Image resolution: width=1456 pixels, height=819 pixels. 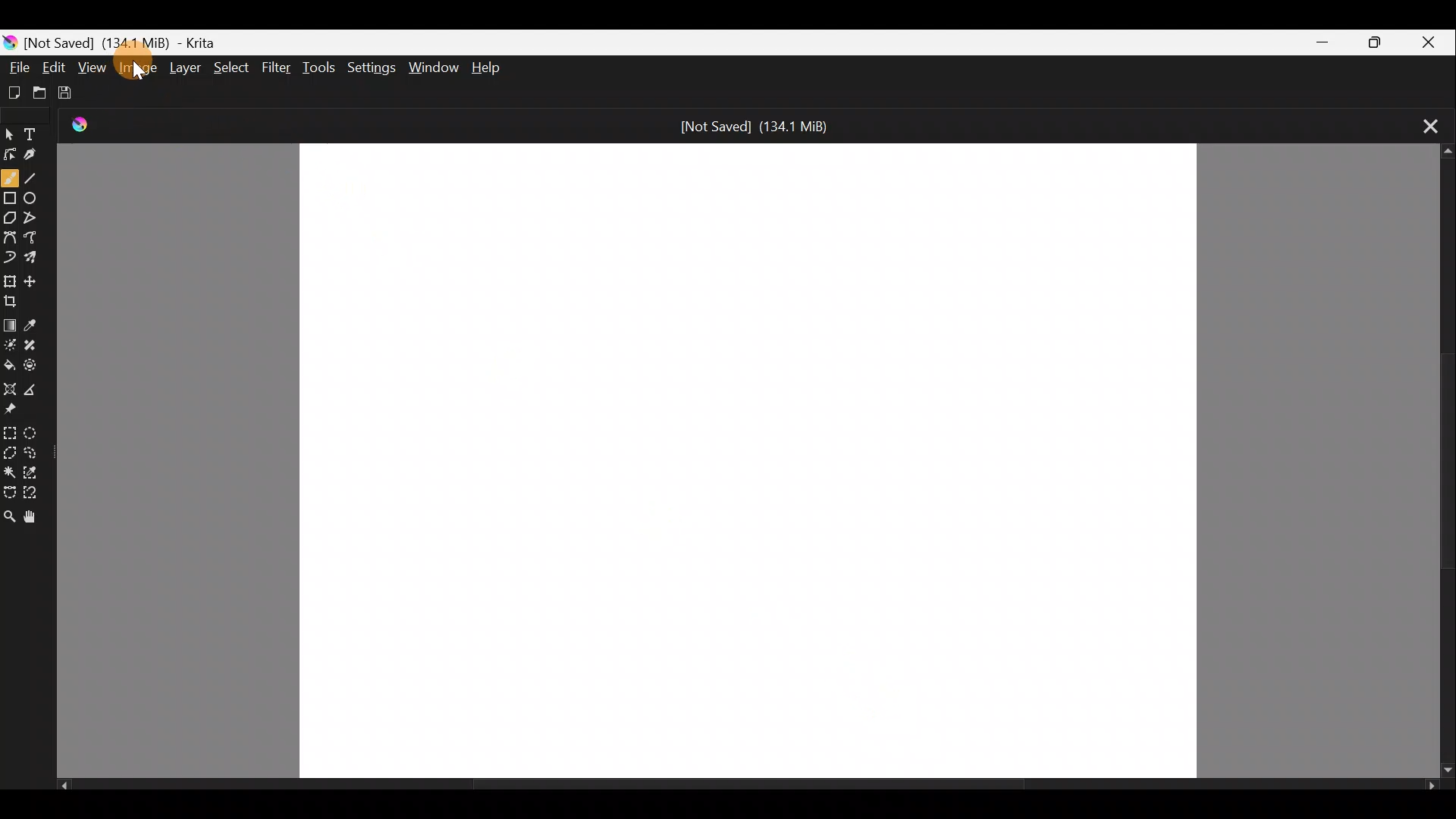 What do you see at coordinates (11, 39) in the screenshot?
I see `Krita Logo` at bounding box center [11, 39].